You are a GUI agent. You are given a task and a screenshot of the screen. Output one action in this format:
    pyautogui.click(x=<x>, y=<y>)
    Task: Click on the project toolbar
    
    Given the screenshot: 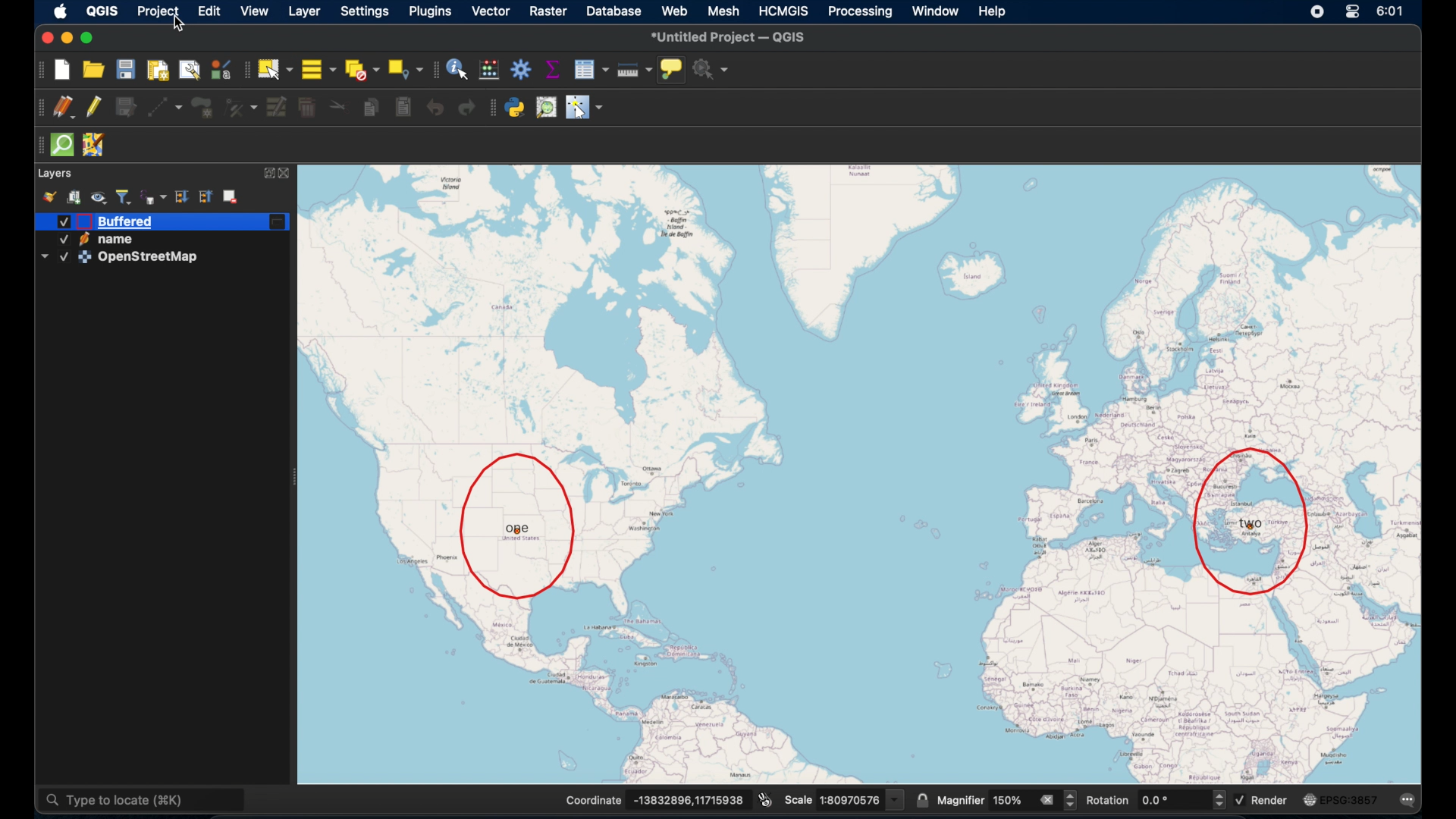 What is the action you would take?
    pyautogui.click(x=39, y=70)
    